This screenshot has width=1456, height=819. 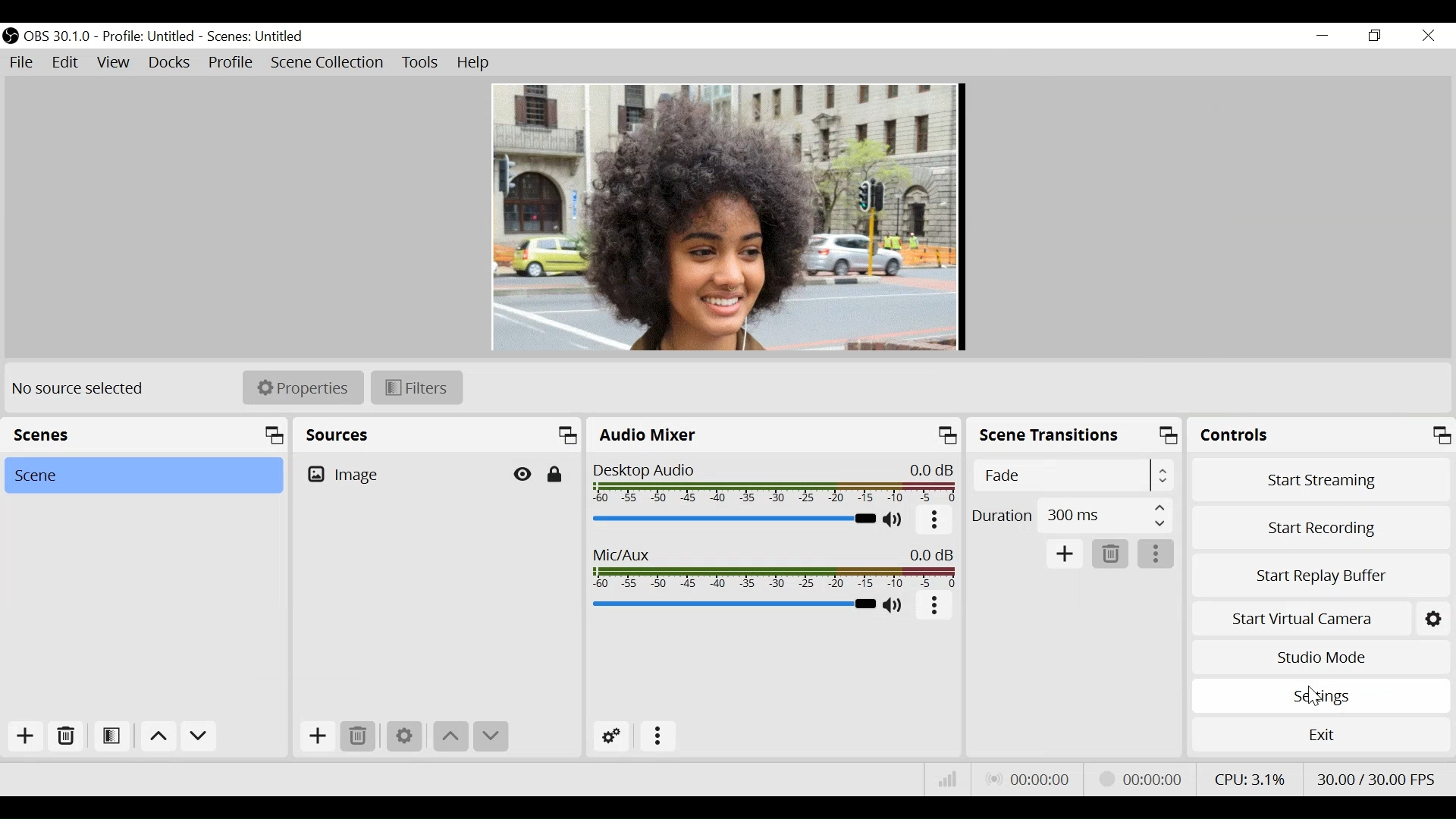 What do you see at coordinates (730, 218) in the screenshot?
I see `Preview` at bounding box center [730, 218].